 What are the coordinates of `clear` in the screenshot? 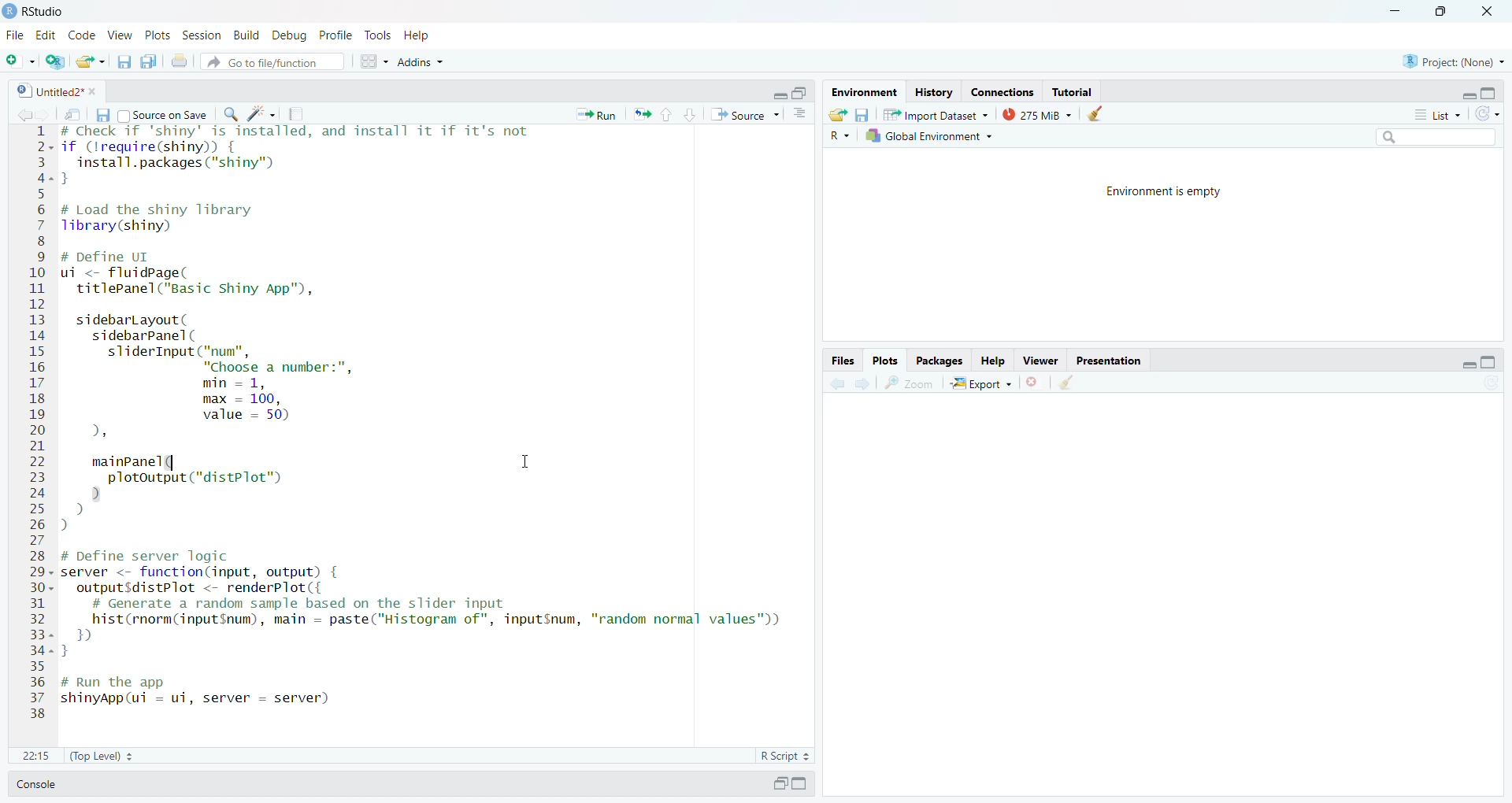 It's located at (1094, 113).